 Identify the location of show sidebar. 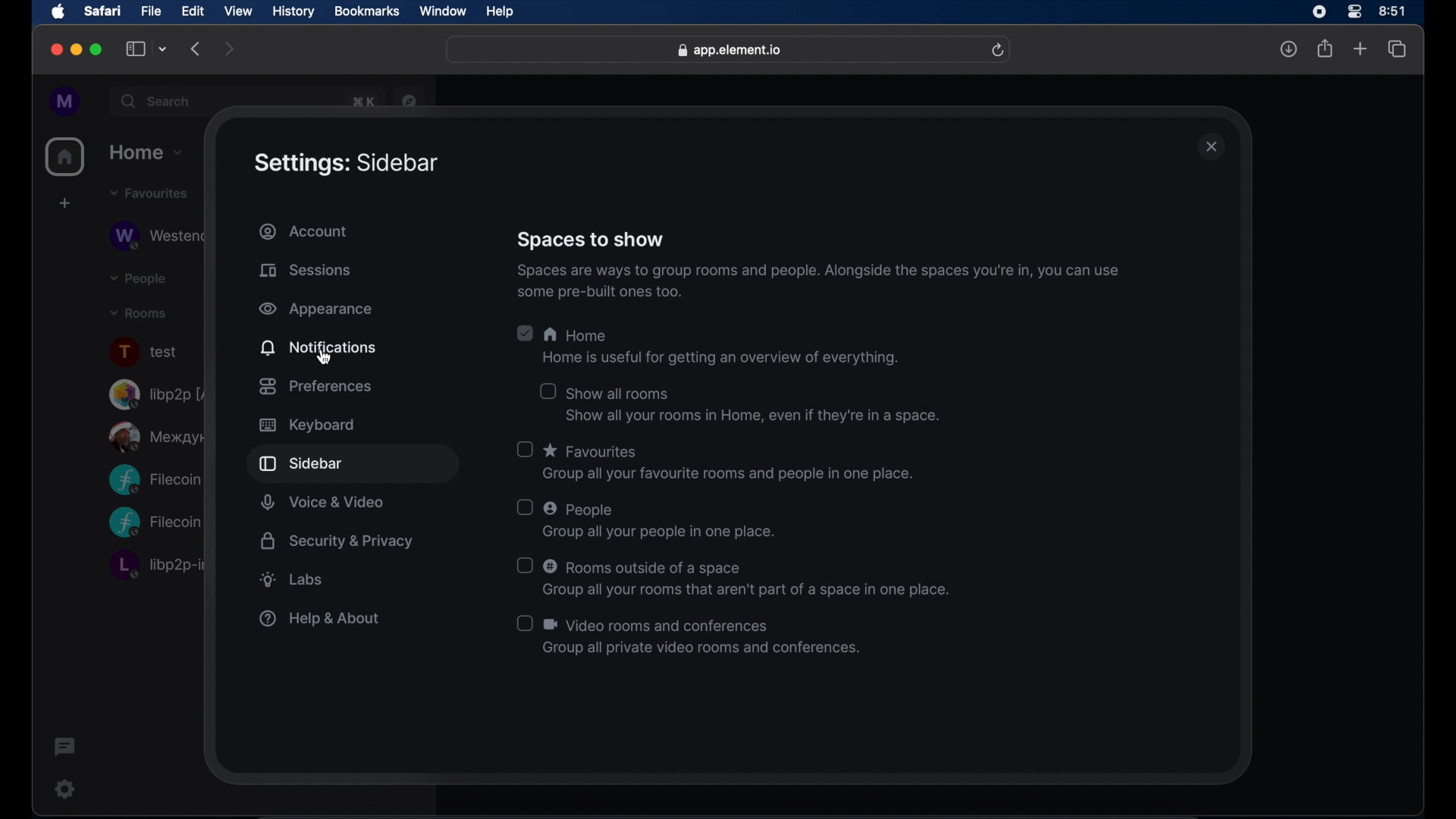
(136, 49).